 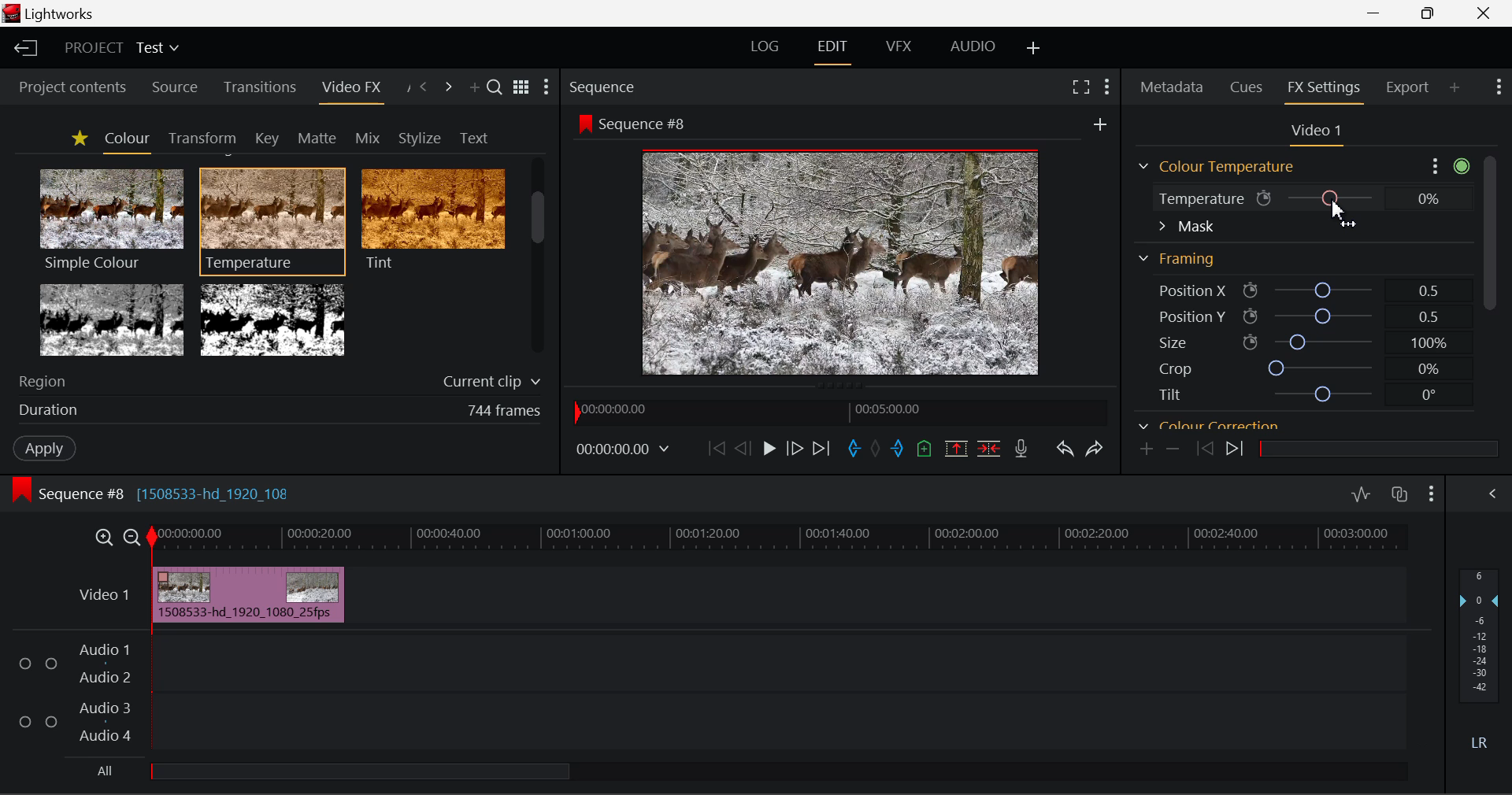 What do you see at coordinates (852, 449) in the screenshot?
I see `Mark In` at bounding box center [852, 449].